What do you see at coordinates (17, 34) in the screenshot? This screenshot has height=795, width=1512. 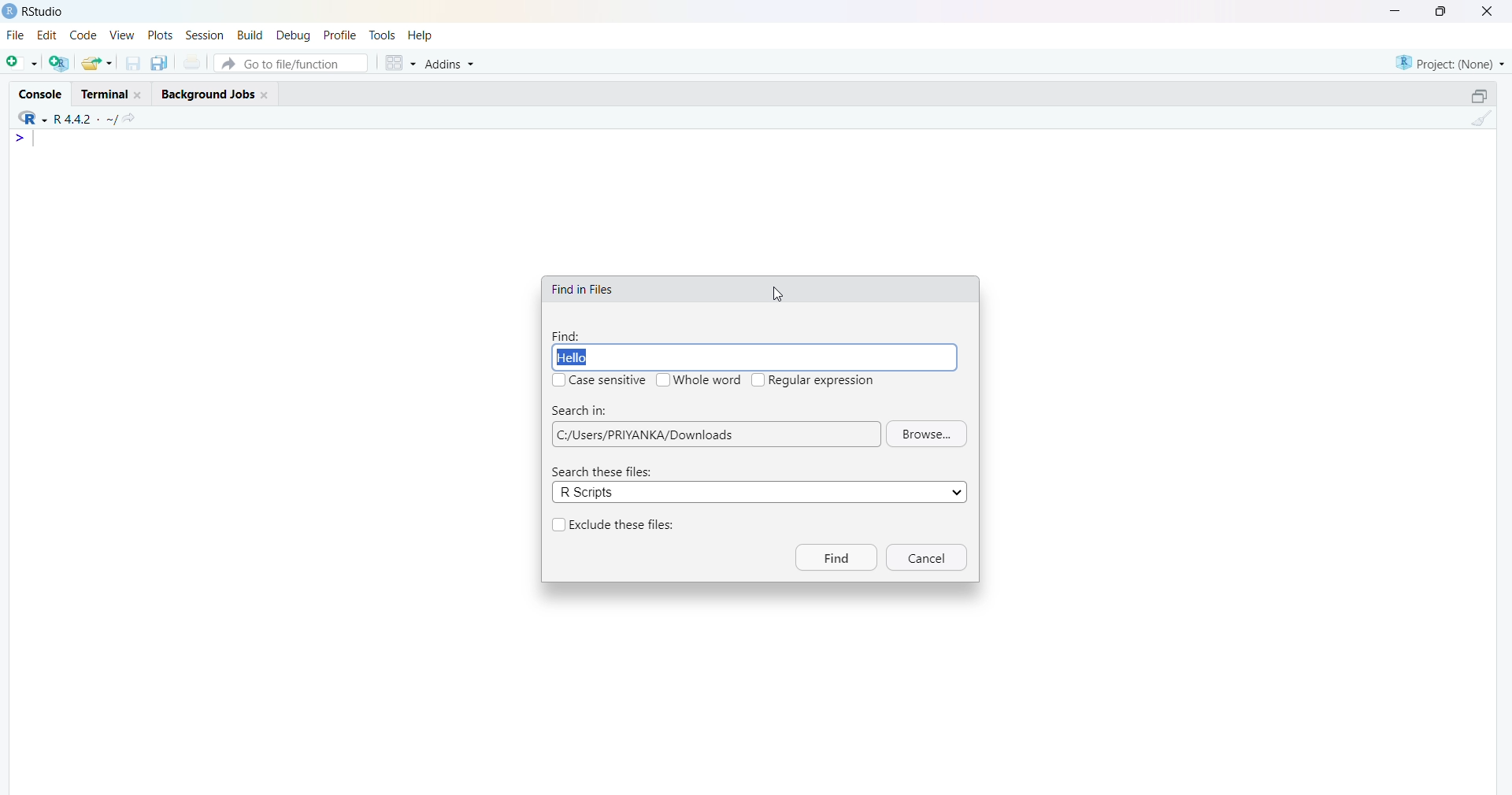 I see `file` at bounding box center [17, 34].